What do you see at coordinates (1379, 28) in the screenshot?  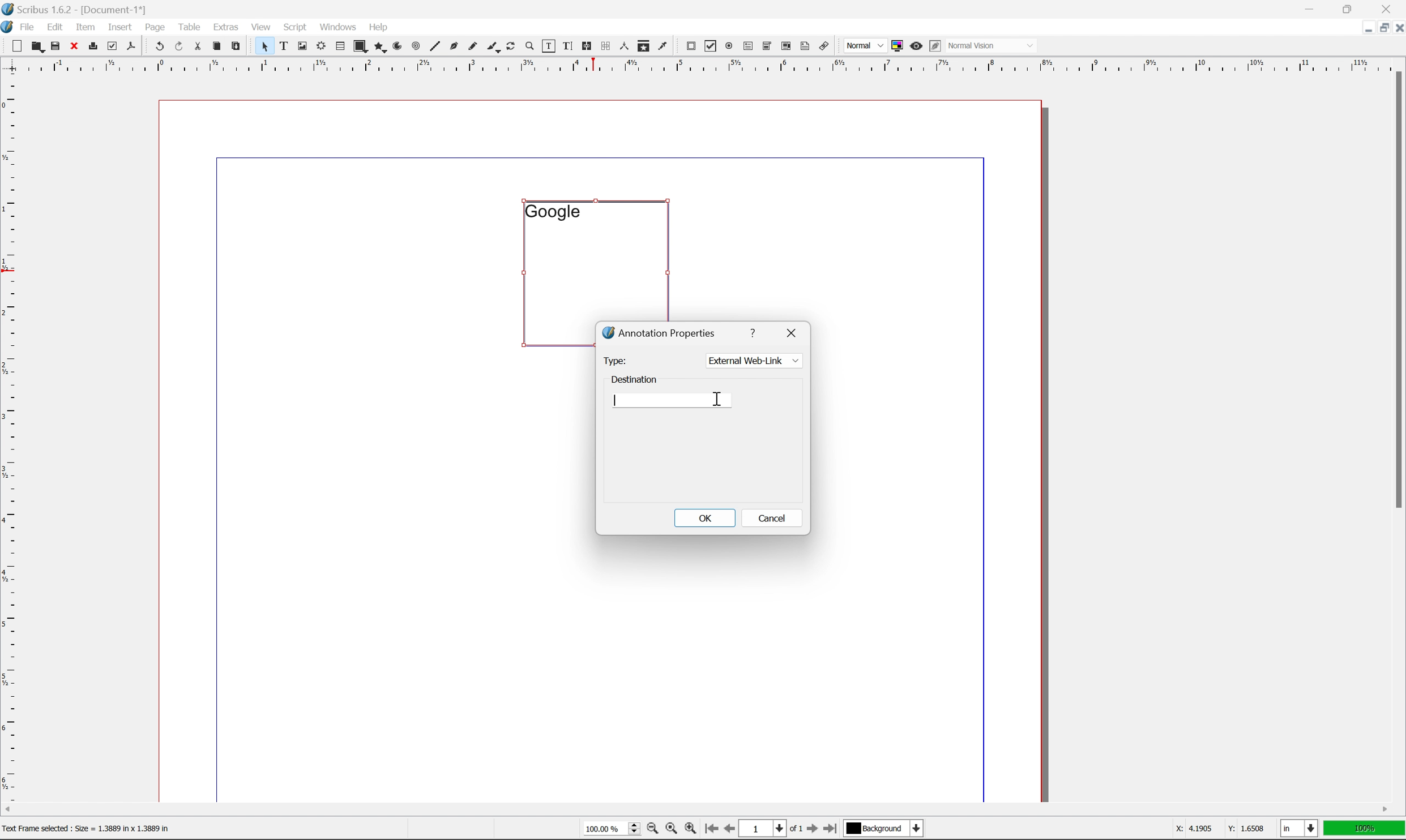 I see `restore down` at bounding box center [1379, 28].